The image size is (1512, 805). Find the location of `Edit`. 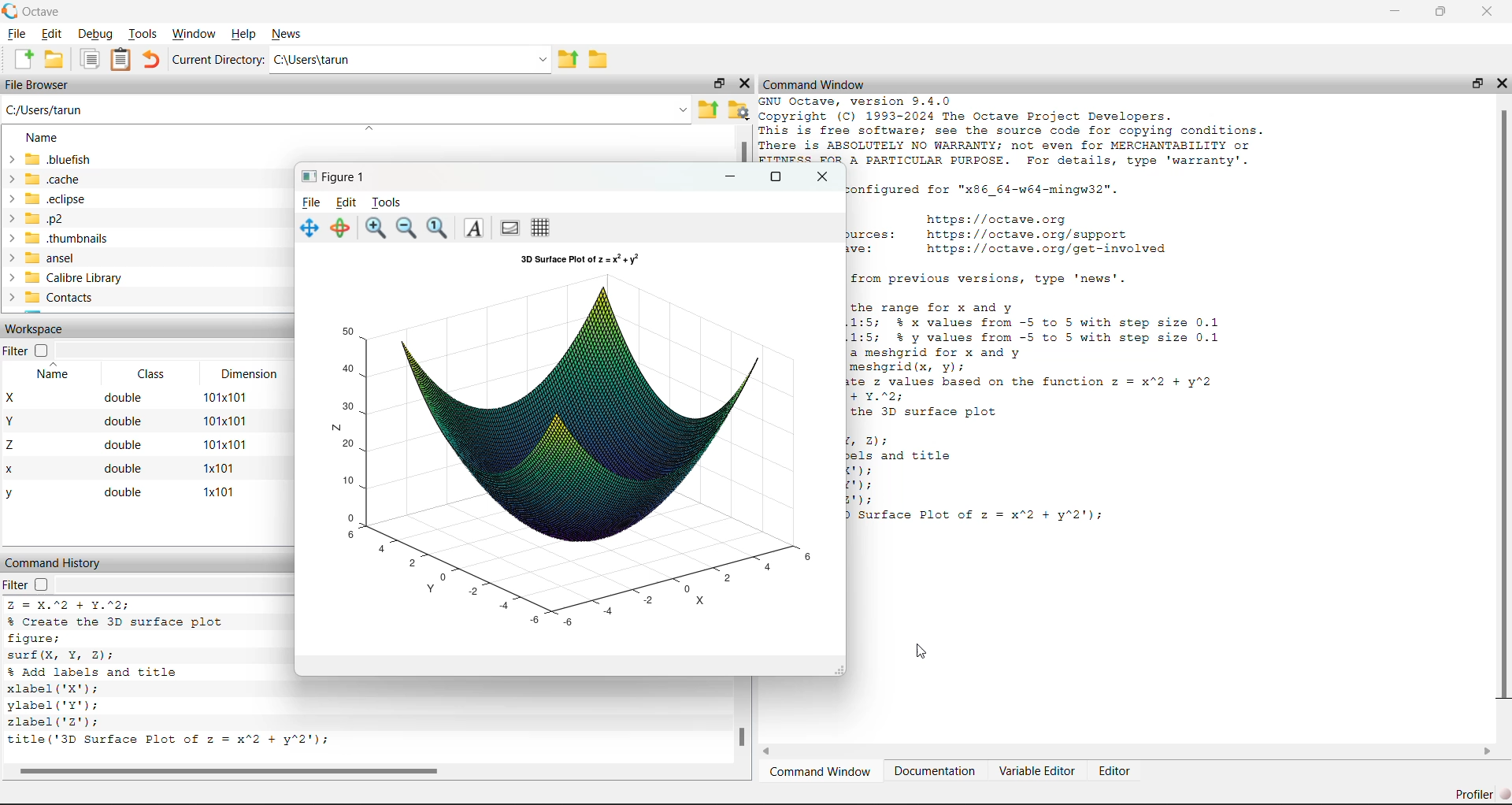

Edit is located at coordinates (346, 202).